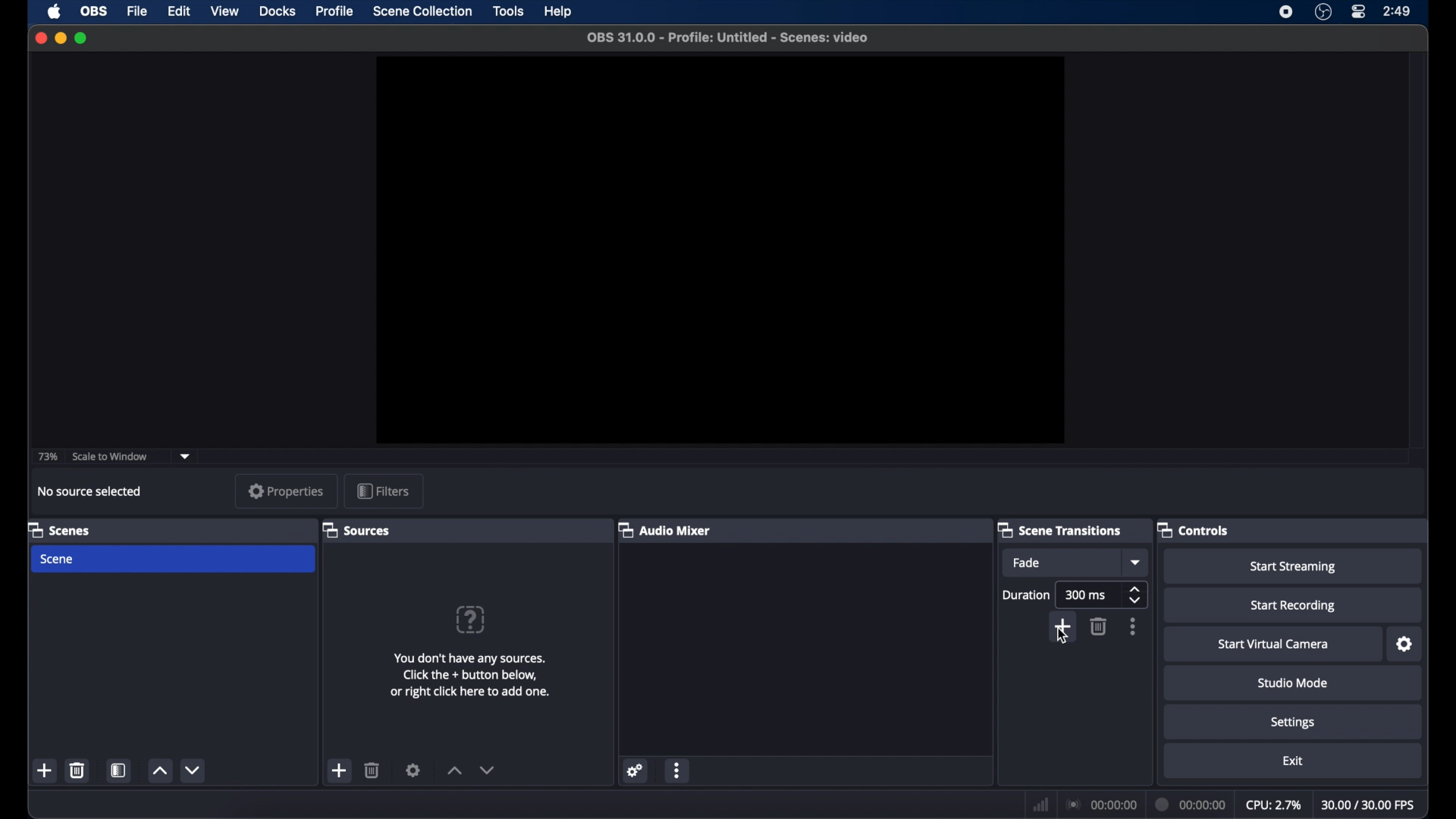 This screenshot has height=819, width=1456. I want to click on dropdown, so click(185, 457).